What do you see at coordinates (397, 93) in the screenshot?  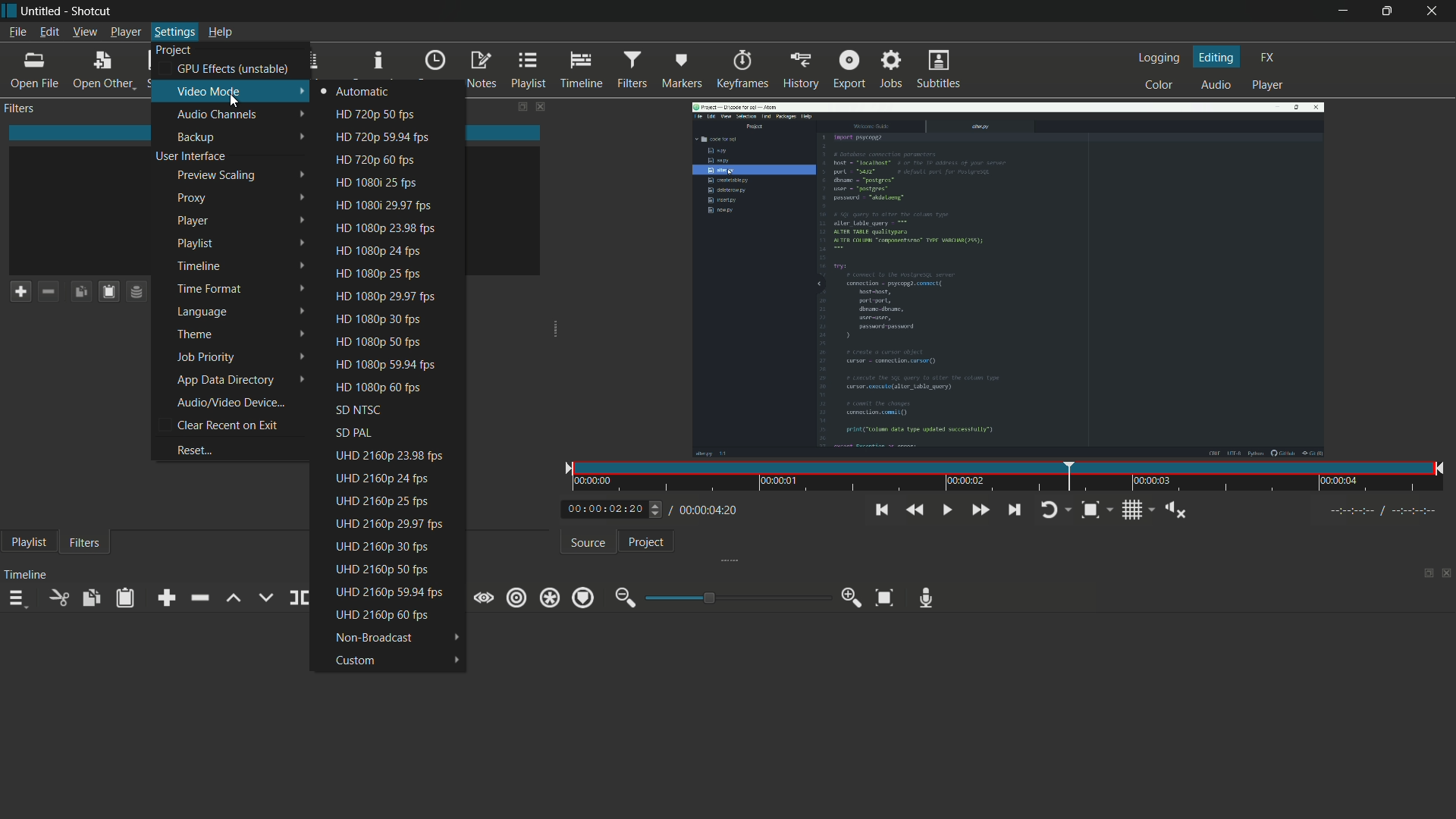 I see `automatic` at bounding box center [397, 93].